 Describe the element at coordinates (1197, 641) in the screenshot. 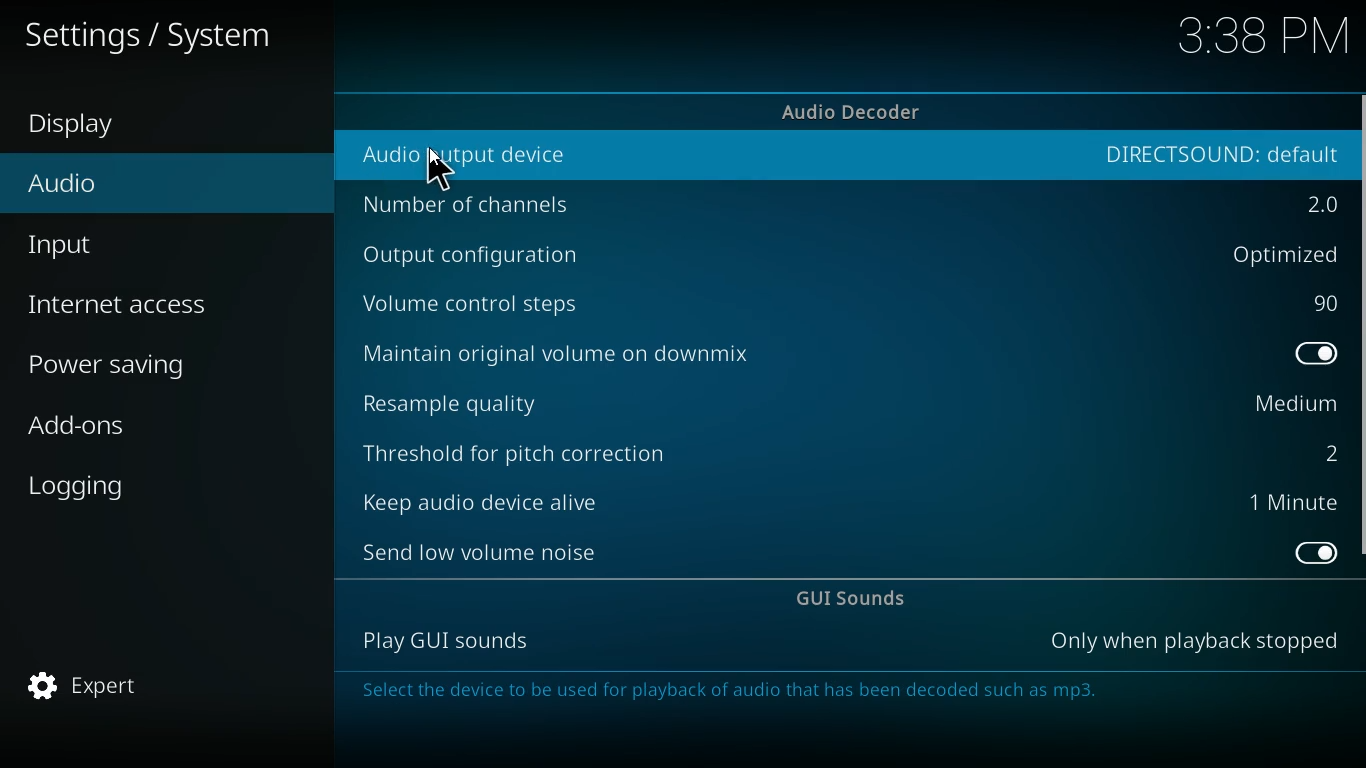

I see `options` at that location.